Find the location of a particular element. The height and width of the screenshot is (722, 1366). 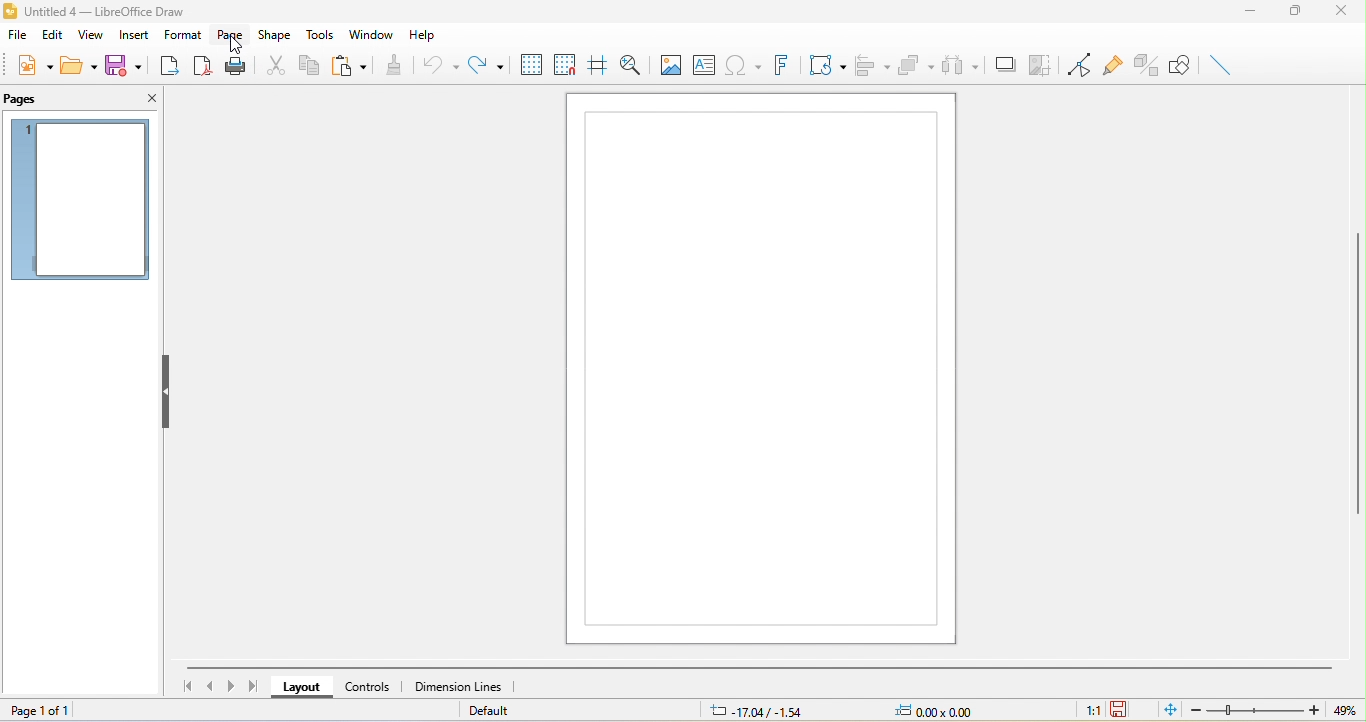

align object is located at coordinates (872, 65).